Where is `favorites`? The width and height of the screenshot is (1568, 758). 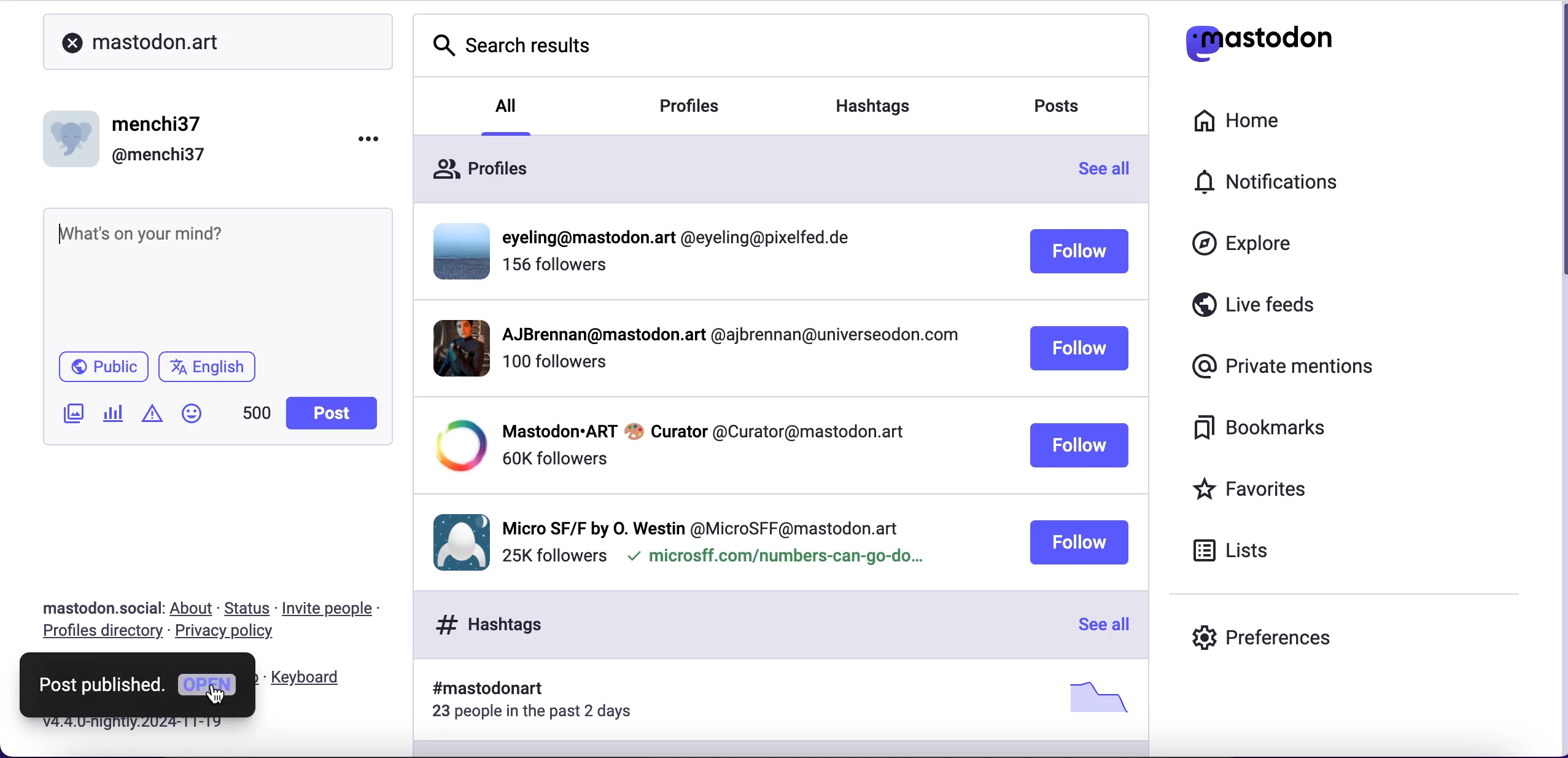 favorites is located at coordinates (1255, 493).